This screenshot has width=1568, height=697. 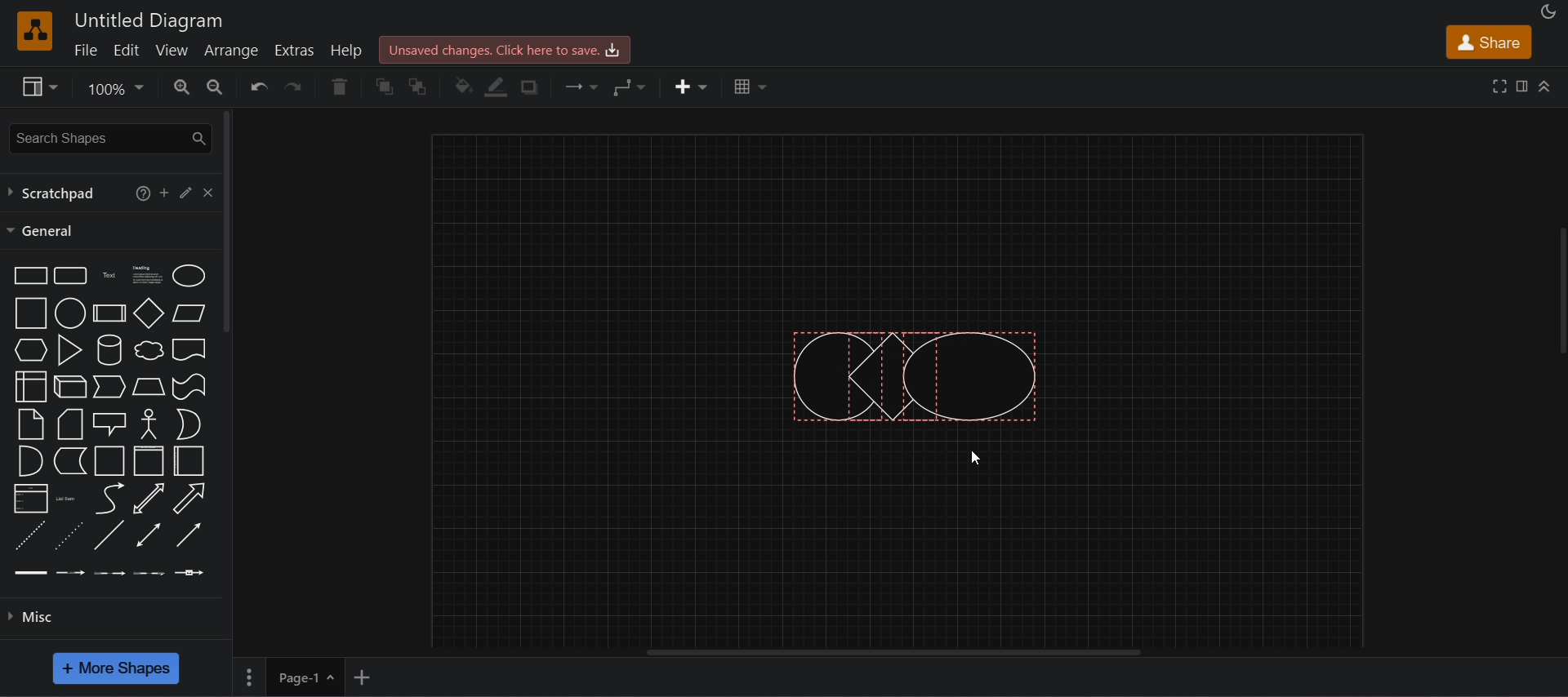 I want to click on trapezoid, so click(x=149, y=386).